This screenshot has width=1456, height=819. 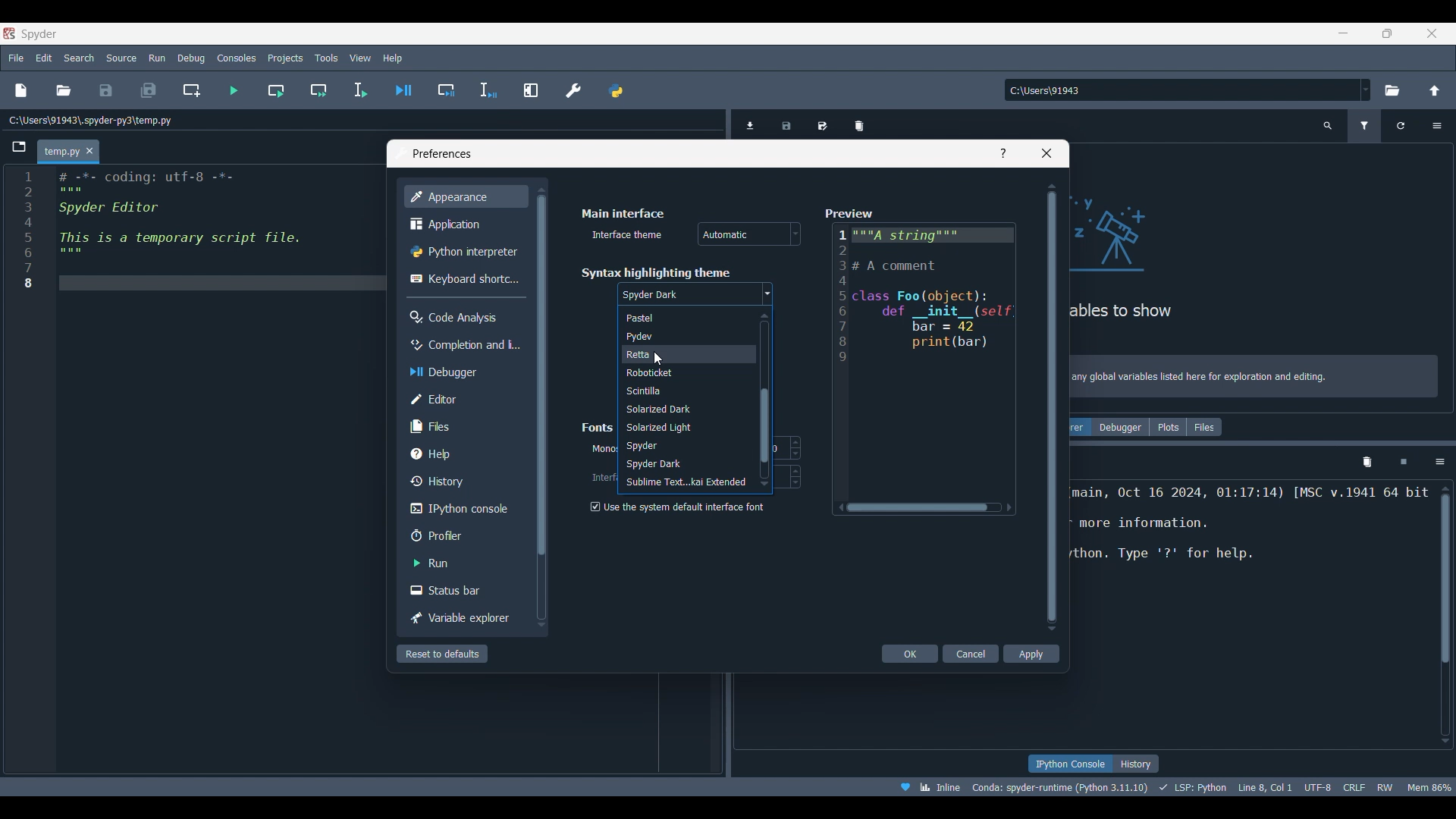 I want to click on Section title, so click(x=623, y=213).